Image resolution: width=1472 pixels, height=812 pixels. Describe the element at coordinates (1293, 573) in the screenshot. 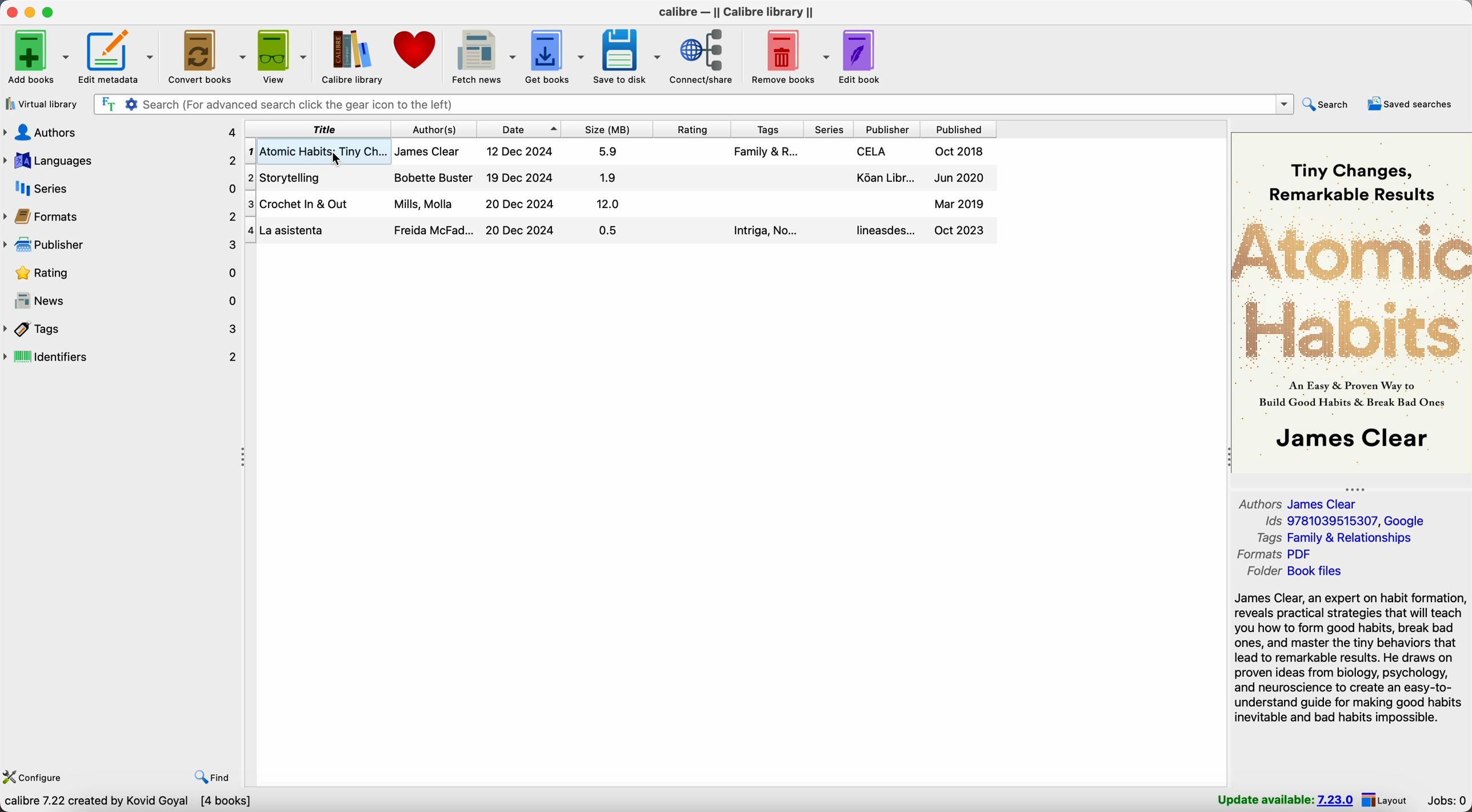

I see `folder` at that location.